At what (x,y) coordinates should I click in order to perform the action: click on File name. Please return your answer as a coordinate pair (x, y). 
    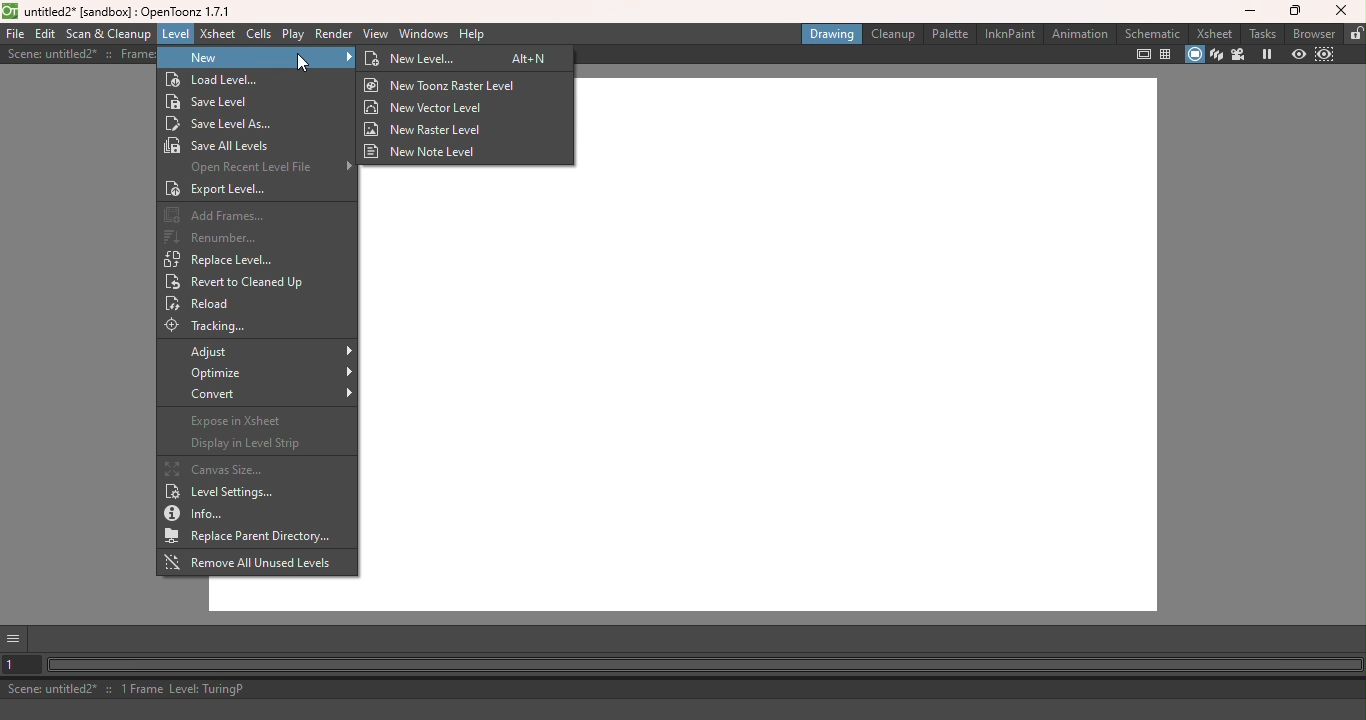
    Looking at the image, I should click on (116, 11).